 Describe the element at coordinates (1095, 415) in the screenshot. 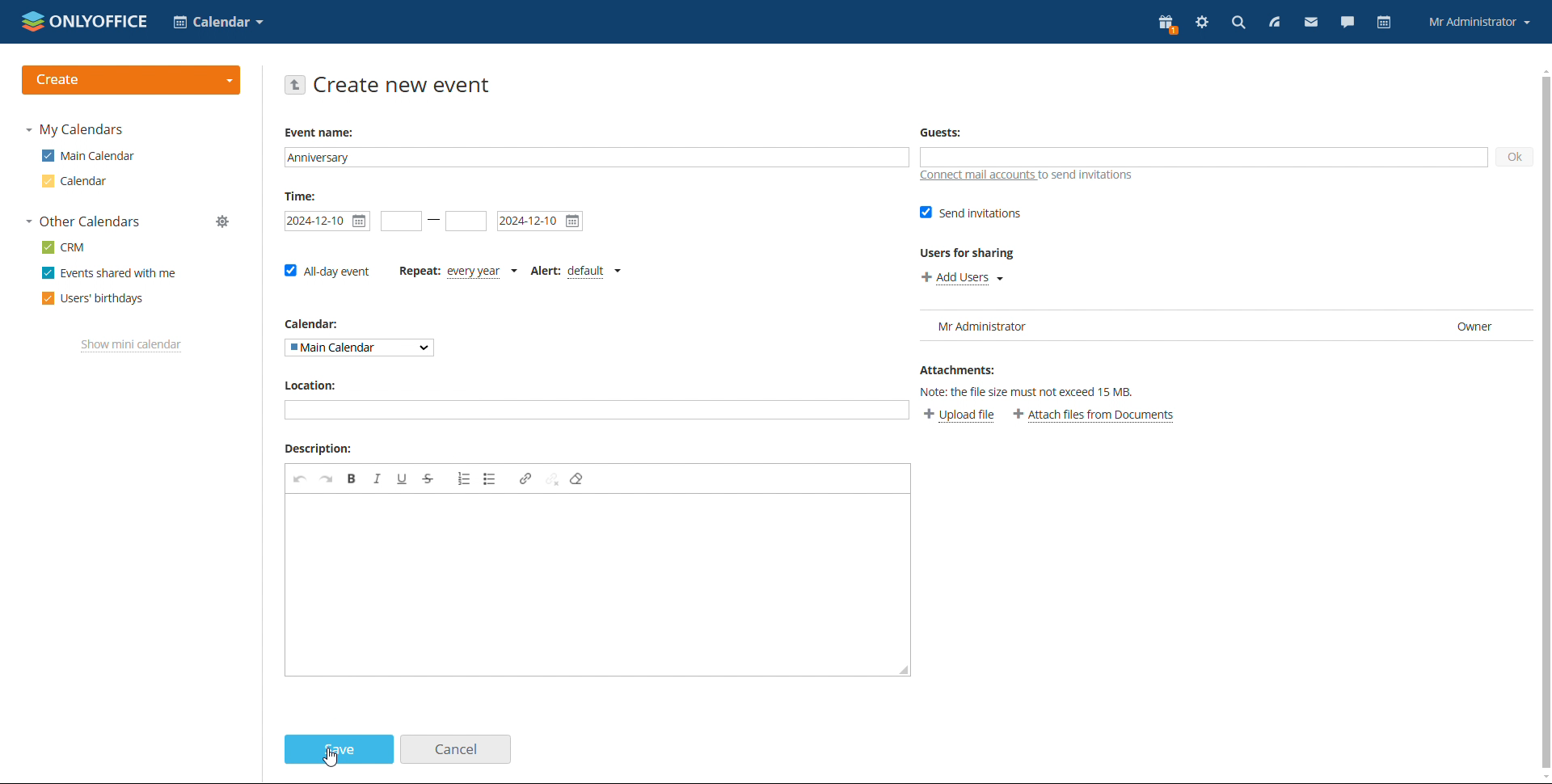

I see `attach file from documents` at that location.